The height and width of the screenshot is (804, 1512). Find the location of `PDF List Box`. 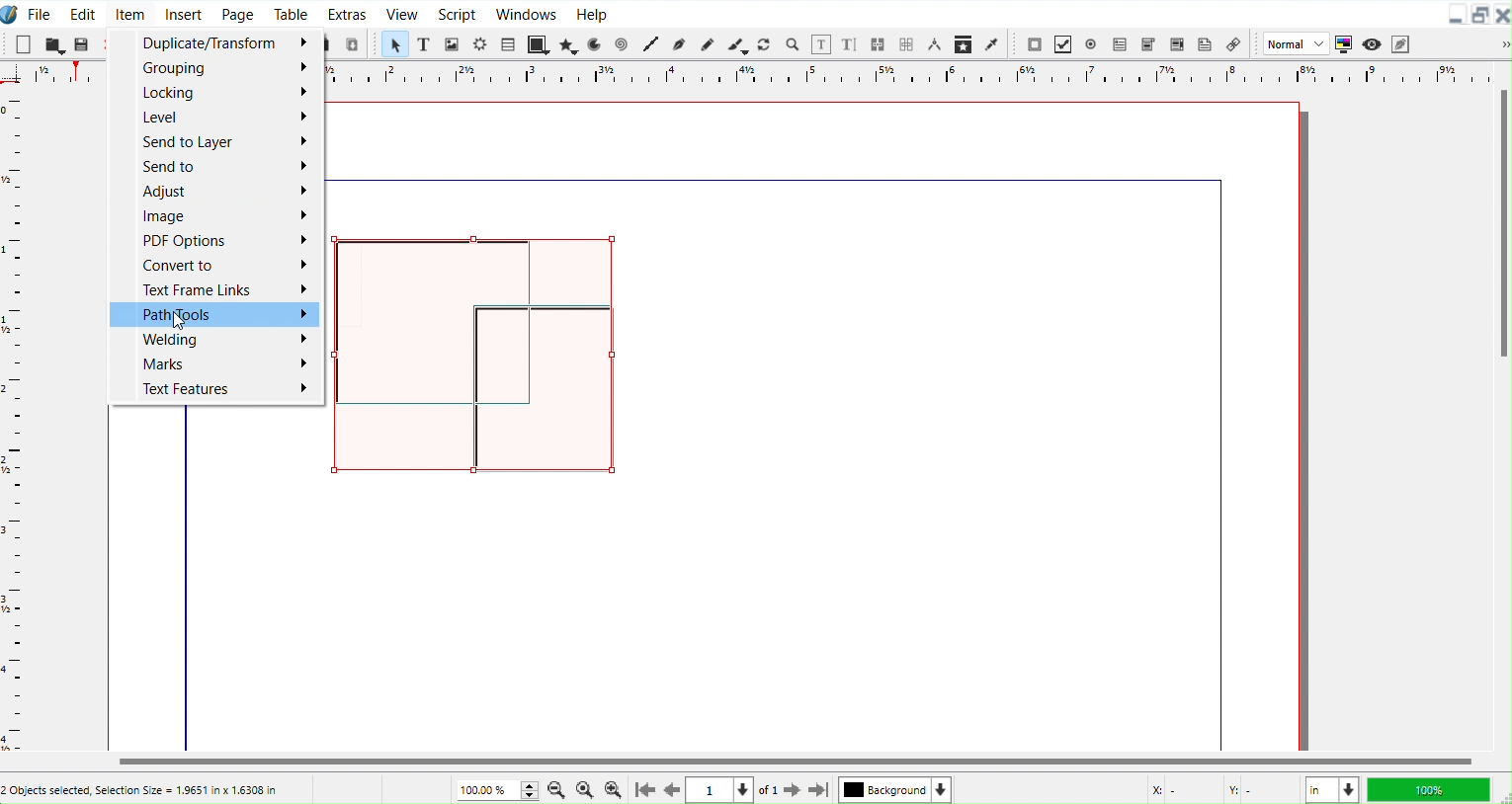

PDF List Box is located at coordinates (1176, 42).